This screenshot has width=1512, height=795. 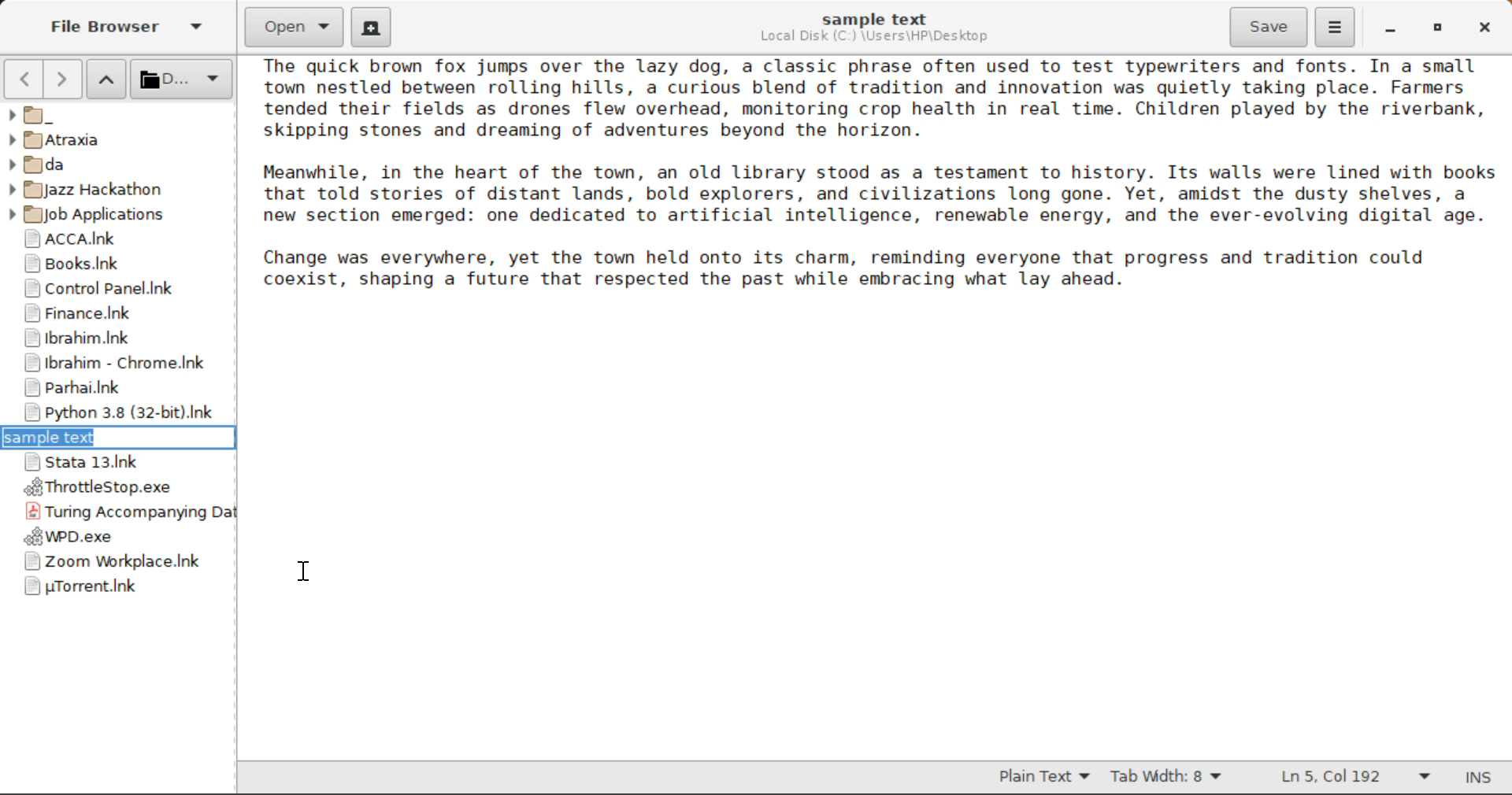 I want to click on ACCA Folder Shortcut Link, so click(x=119, y=239).